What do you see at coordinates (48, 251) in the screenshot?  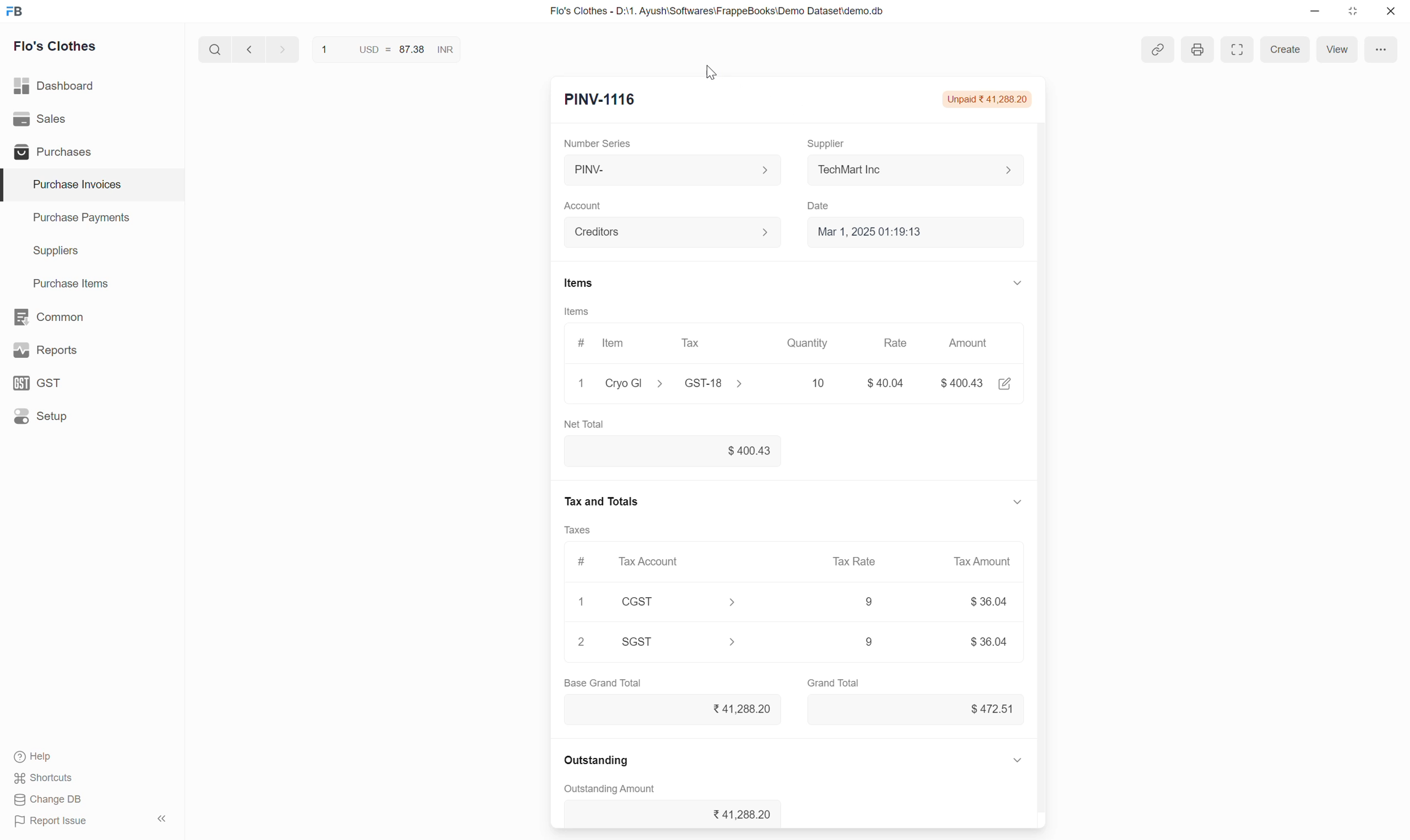 I see `Suppliers` at bounding box center [48, 251].